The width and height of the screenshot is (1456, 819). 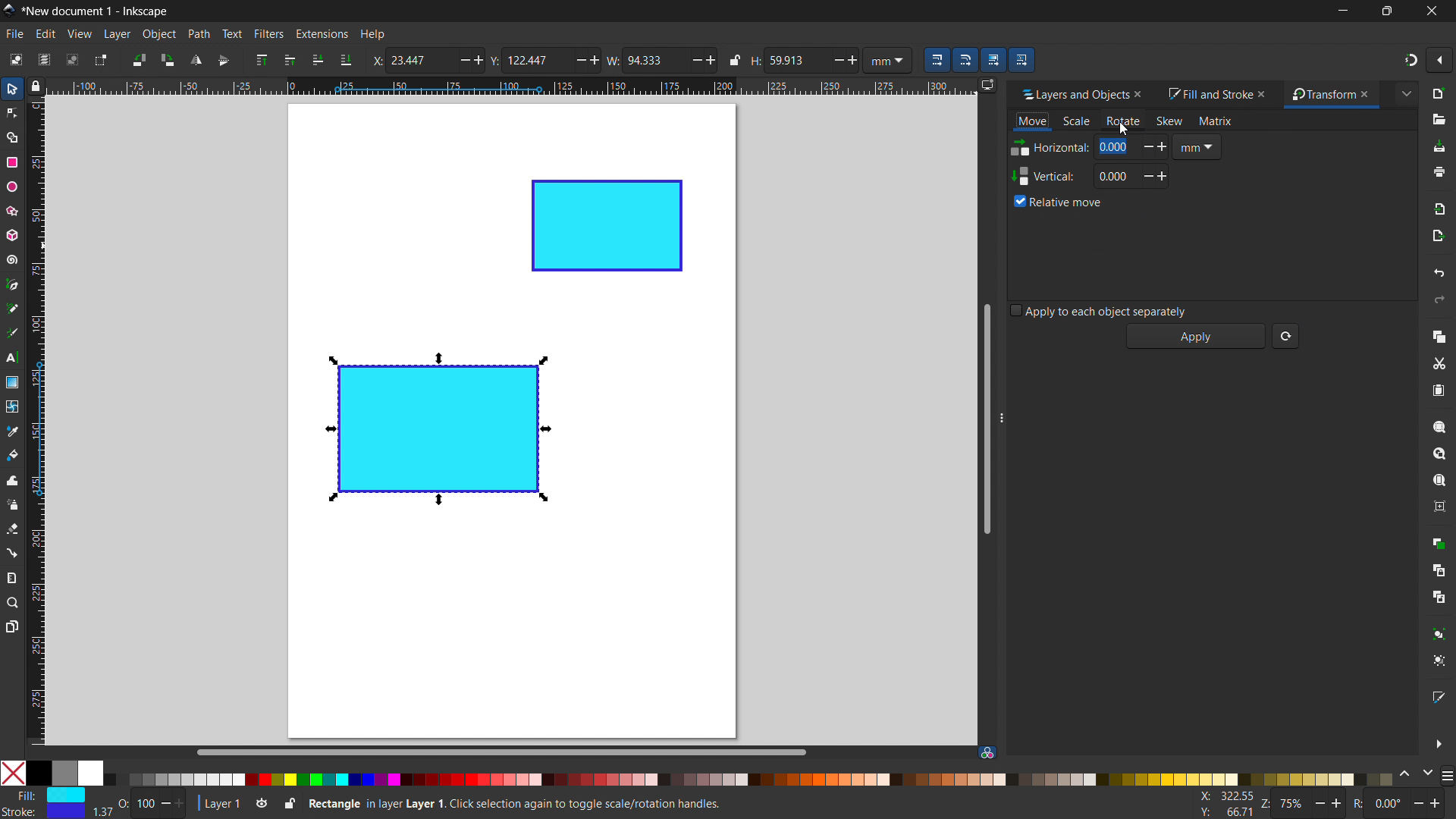 What do you see at coordinates (710, 59) in the screenshot?
I see `Add/ increase` at bounding box center [710, 59].